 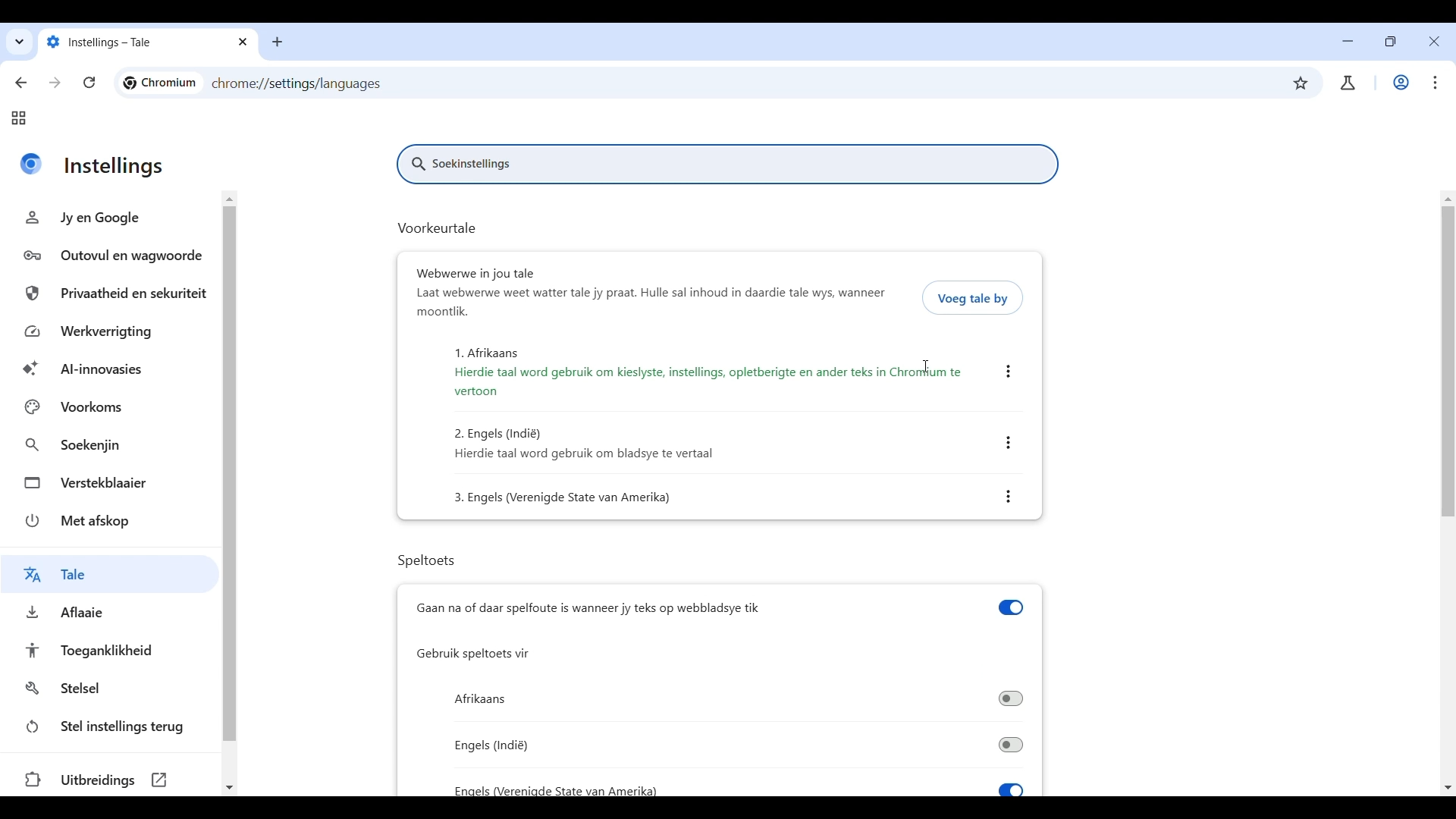 What do you see at coordinates (109, 728) in the screenshot?
I see `Stel instellings terug` at bounding box center [109, 728].